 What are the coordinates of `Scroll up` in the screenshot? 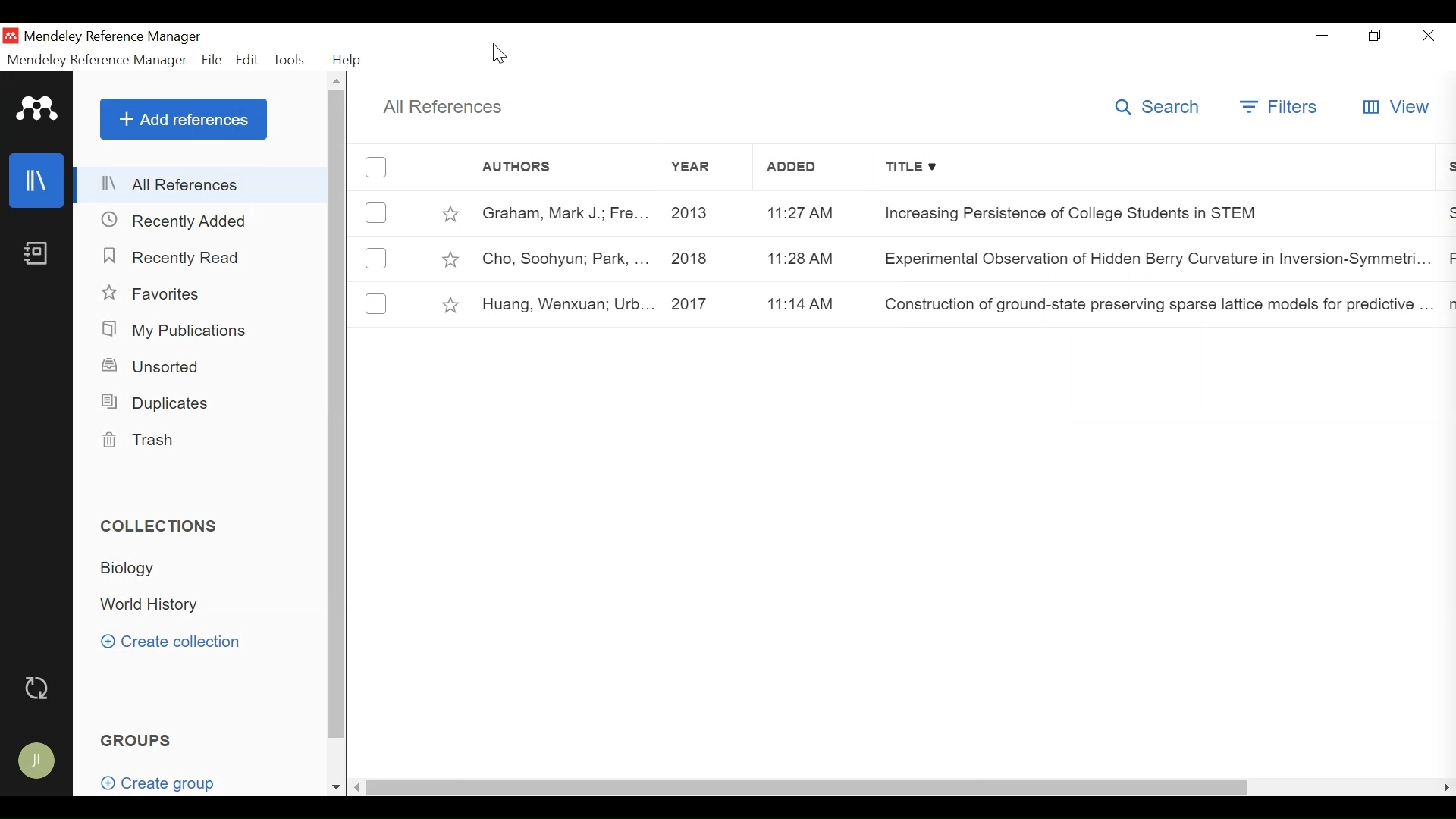 It's located at (336, 80).